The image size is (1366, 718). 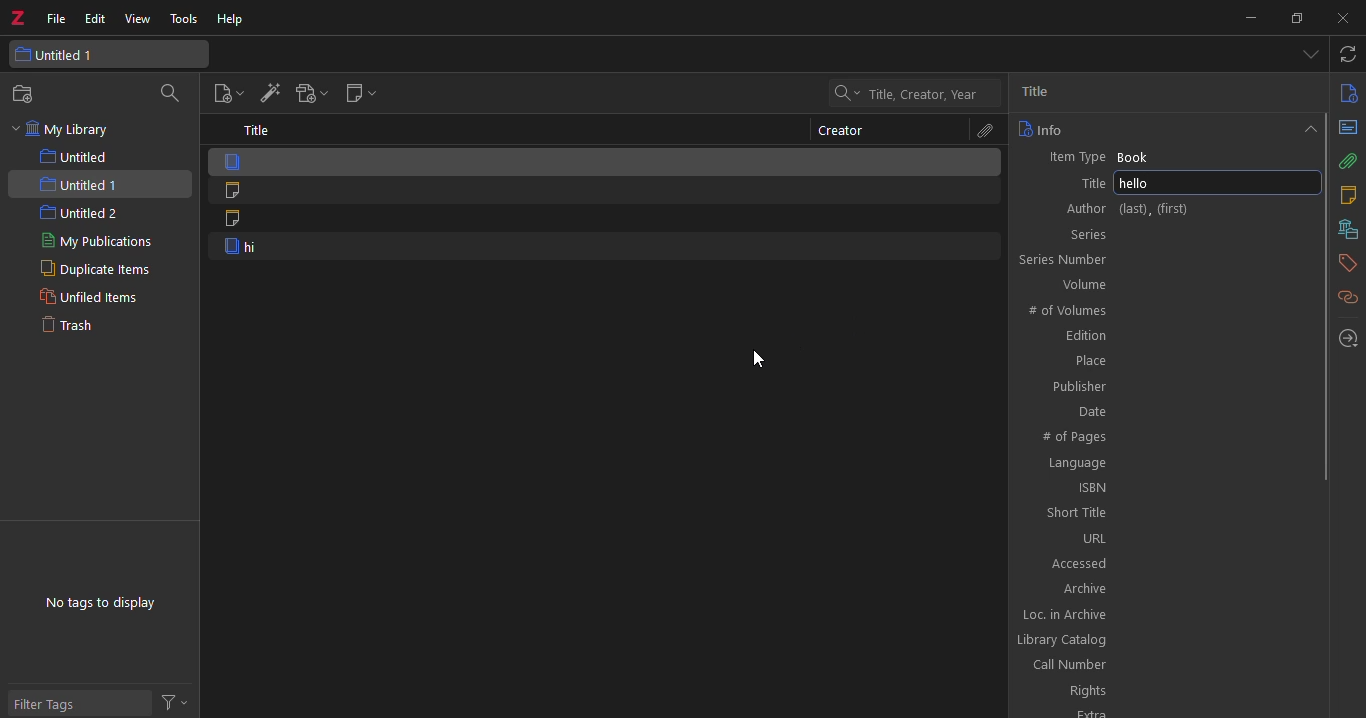 What do you see at coordinates (604, 221) in the screenshot?
I see `note` at bounding box center [604, 221].